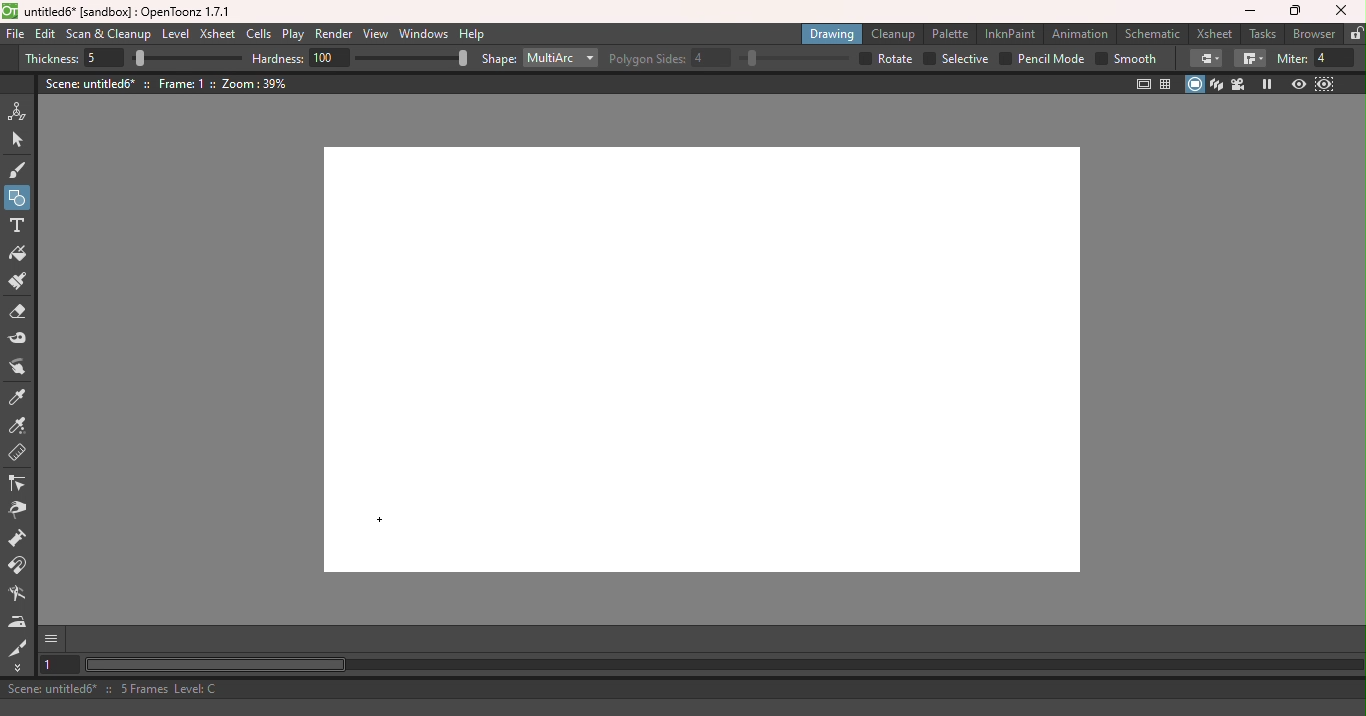  Describe the element at coordinates (21, 513) in the screenshot. I see `Pinch tool` at that location.